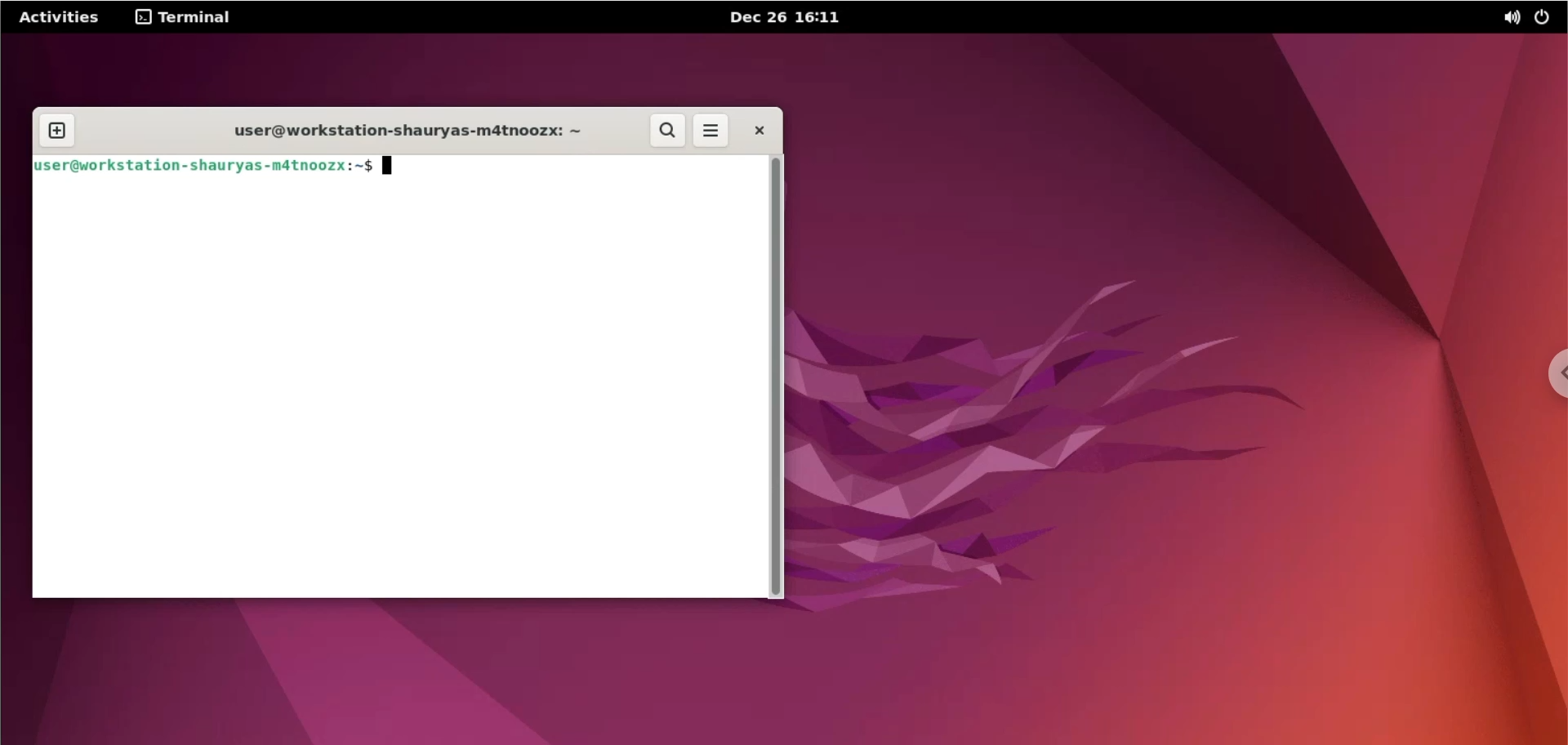  Describe the element at coordinates (189, 19) in the screenshot. I see `terminal options` at that location.